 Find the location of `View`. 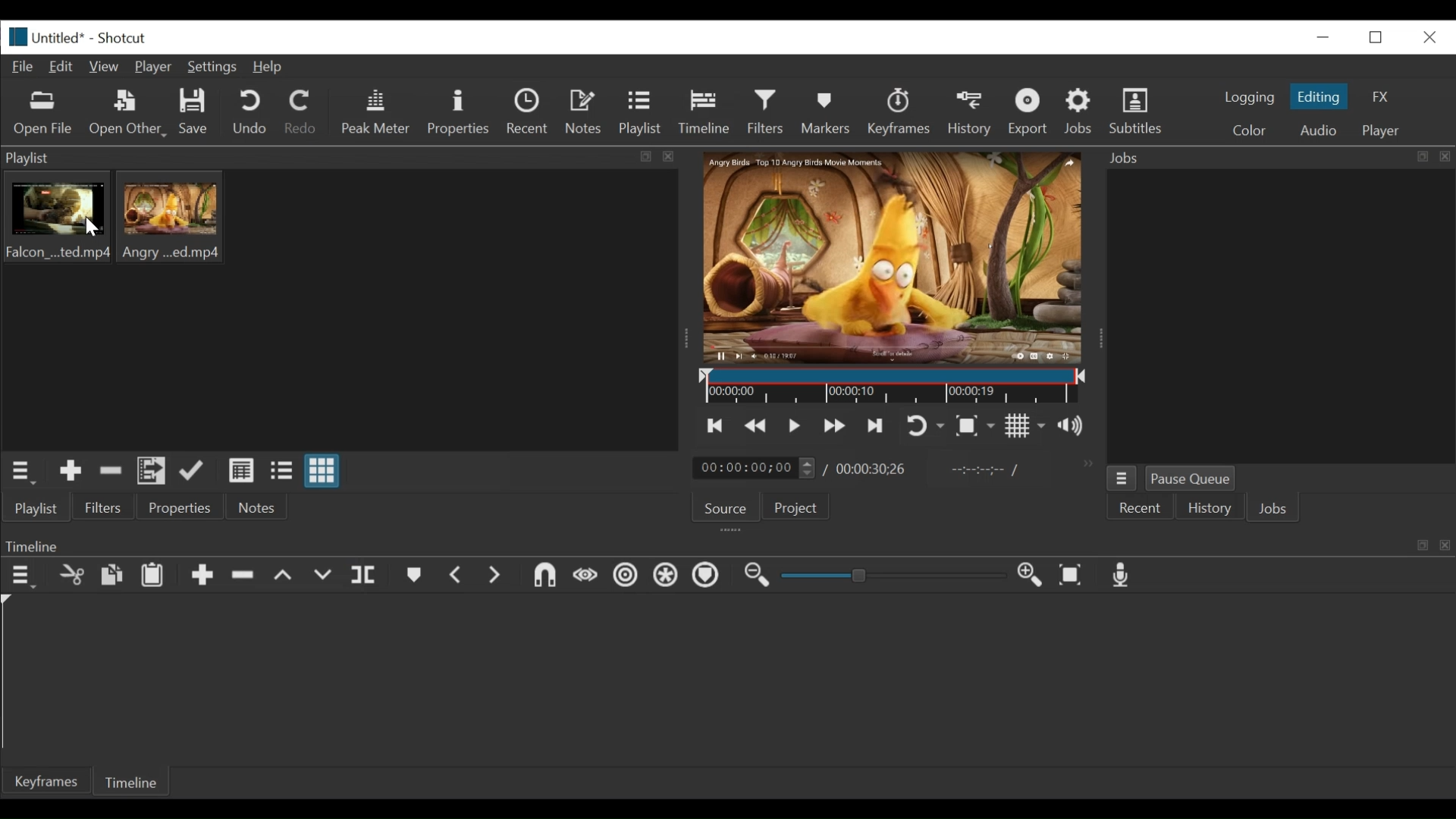

View is located at coordinates (105, 67).